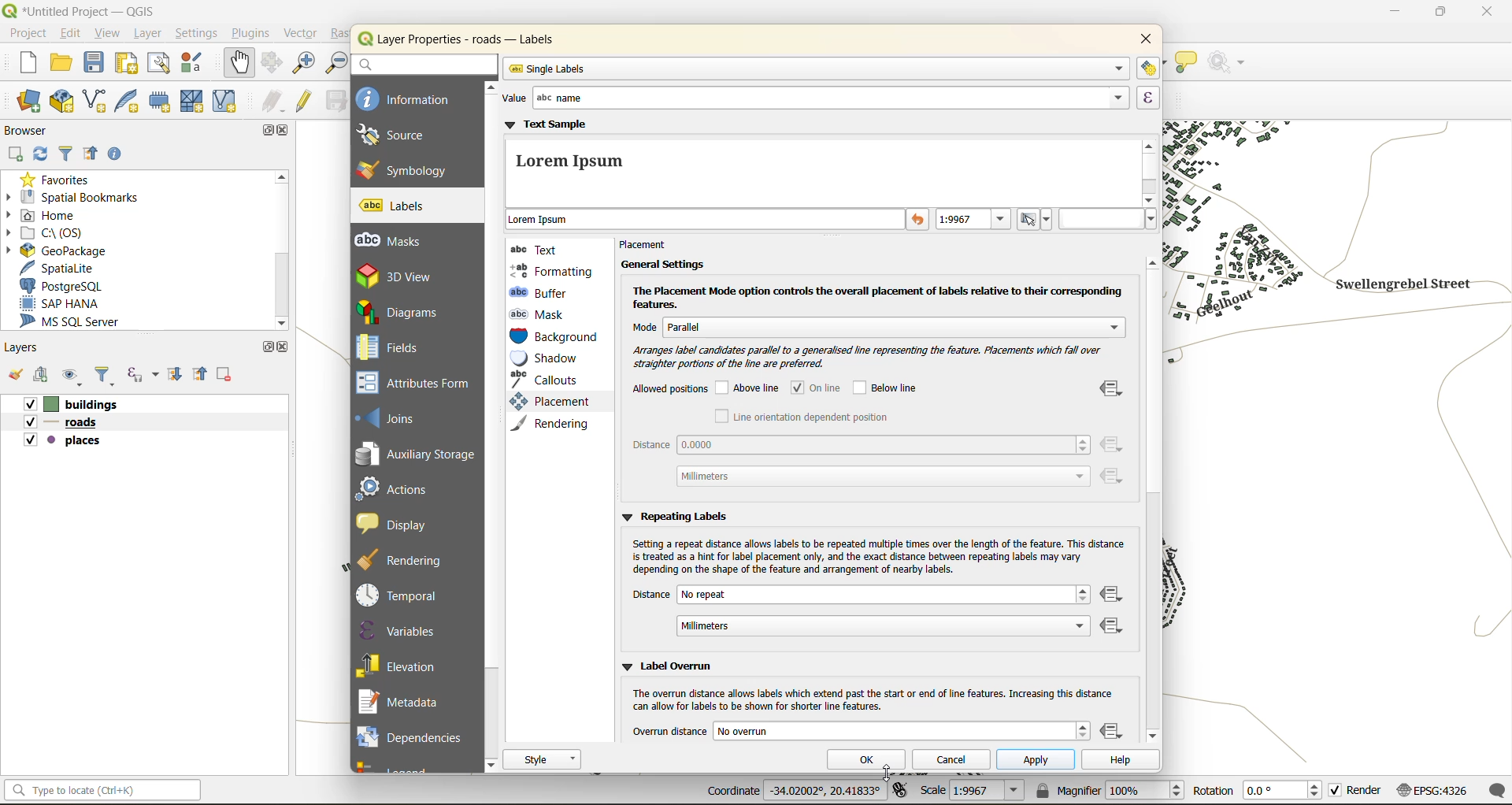 This screenshot has width=1512, height=805. I want to click on above line unchecked, so click(750, 389).